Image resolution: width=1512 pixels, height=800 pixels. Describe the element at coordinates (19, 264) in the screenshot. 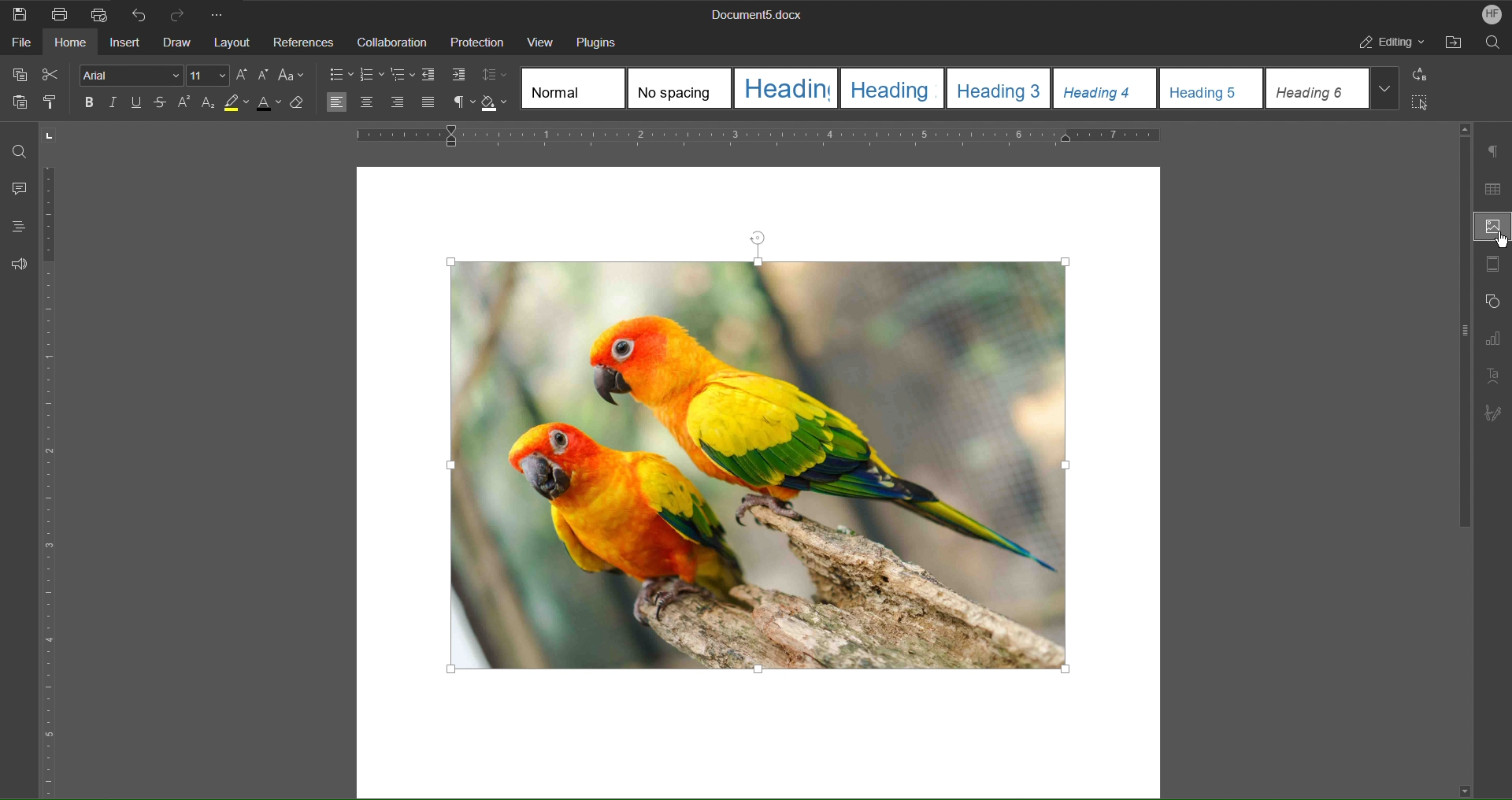

I see `Feedback and Support` at that location.